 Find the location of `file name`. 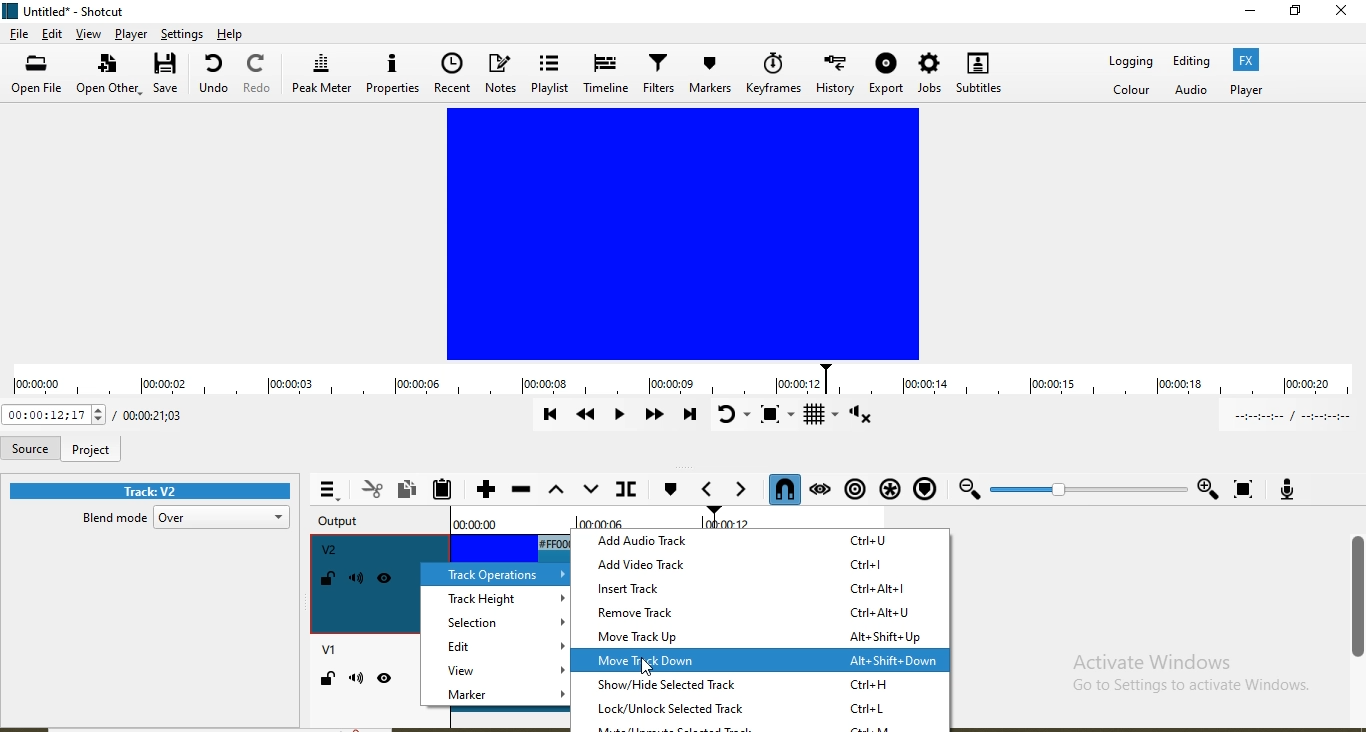

file name is located at coordinates (87, 9).